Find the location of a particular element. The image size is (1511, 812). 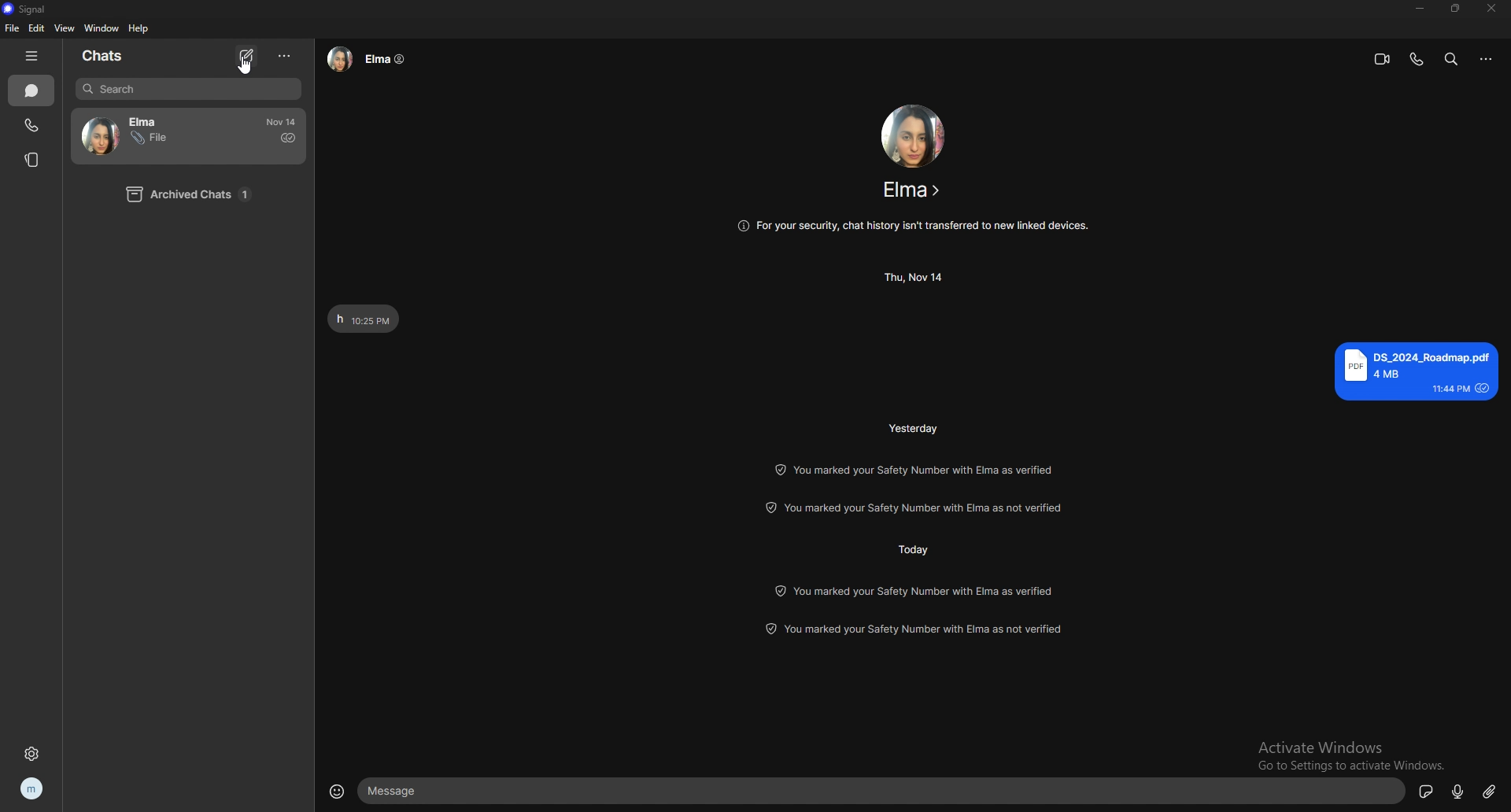

view is located at coordinates (65, 29).